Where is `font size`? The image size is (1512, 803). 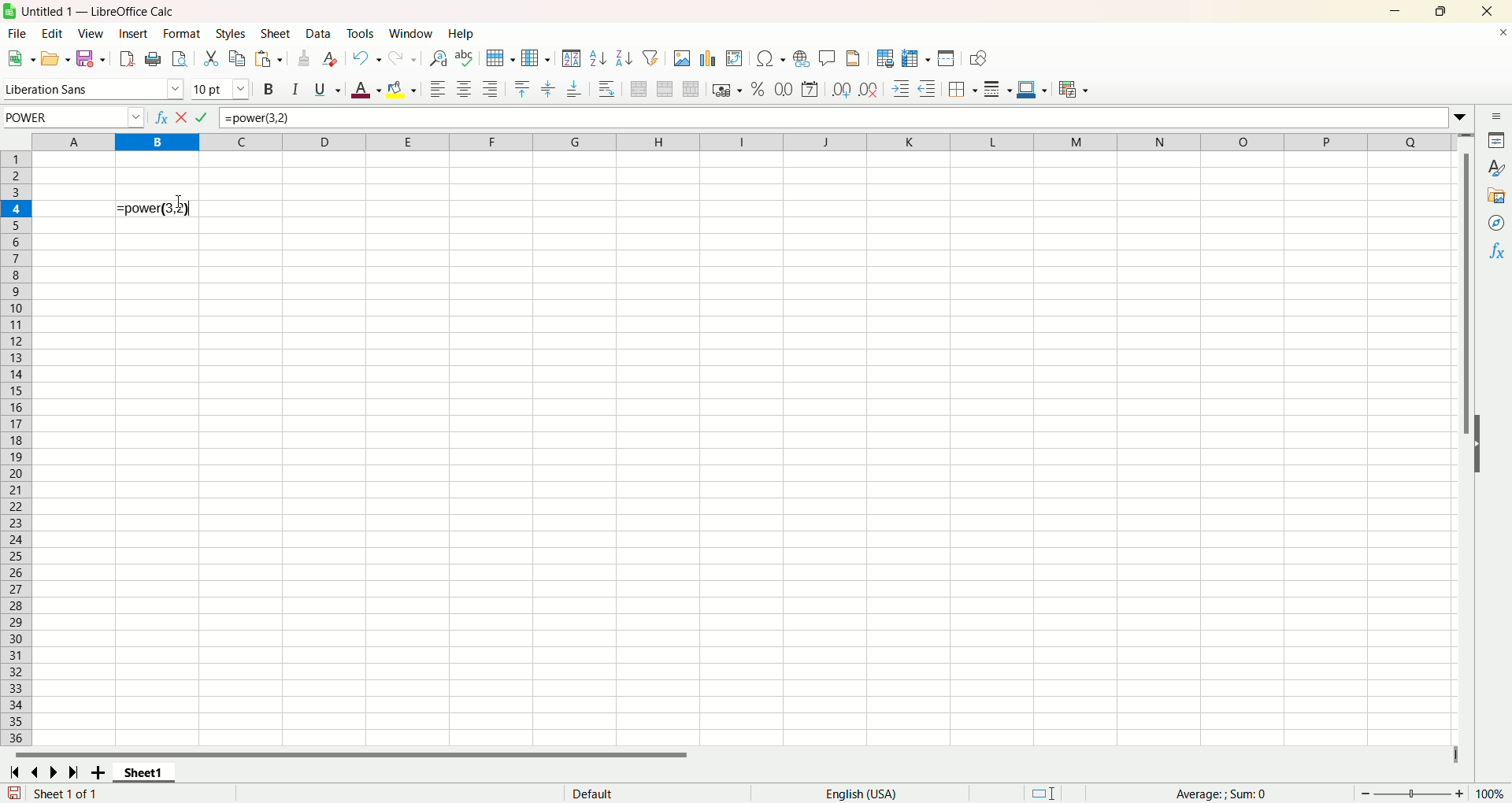
font size is located at coordinates (221, 90).